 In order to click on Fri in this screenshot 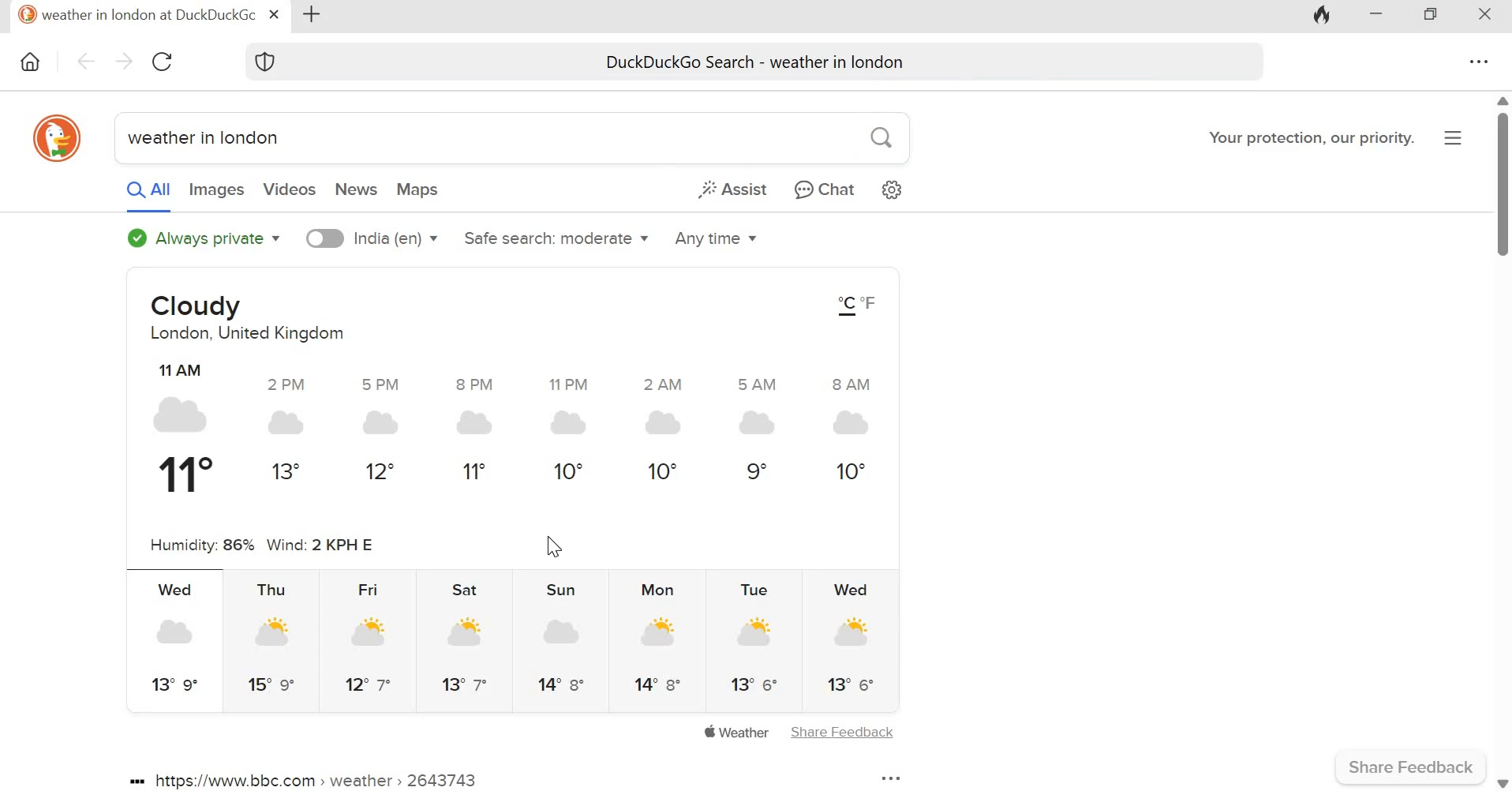, I will do `click(368, 590)`.